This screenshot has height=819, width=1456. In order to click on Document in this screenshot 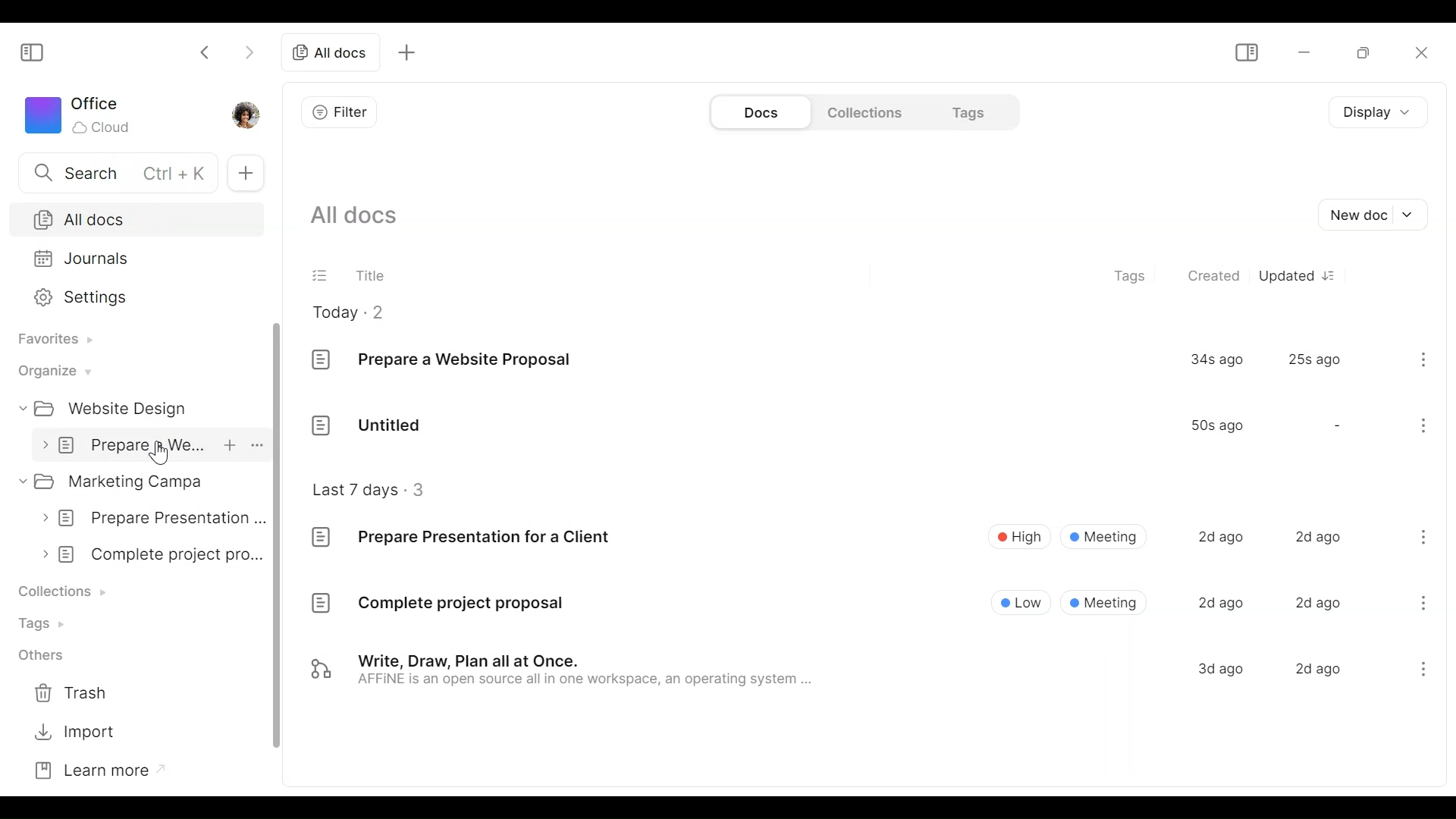, I will do `click(873, 361)`.